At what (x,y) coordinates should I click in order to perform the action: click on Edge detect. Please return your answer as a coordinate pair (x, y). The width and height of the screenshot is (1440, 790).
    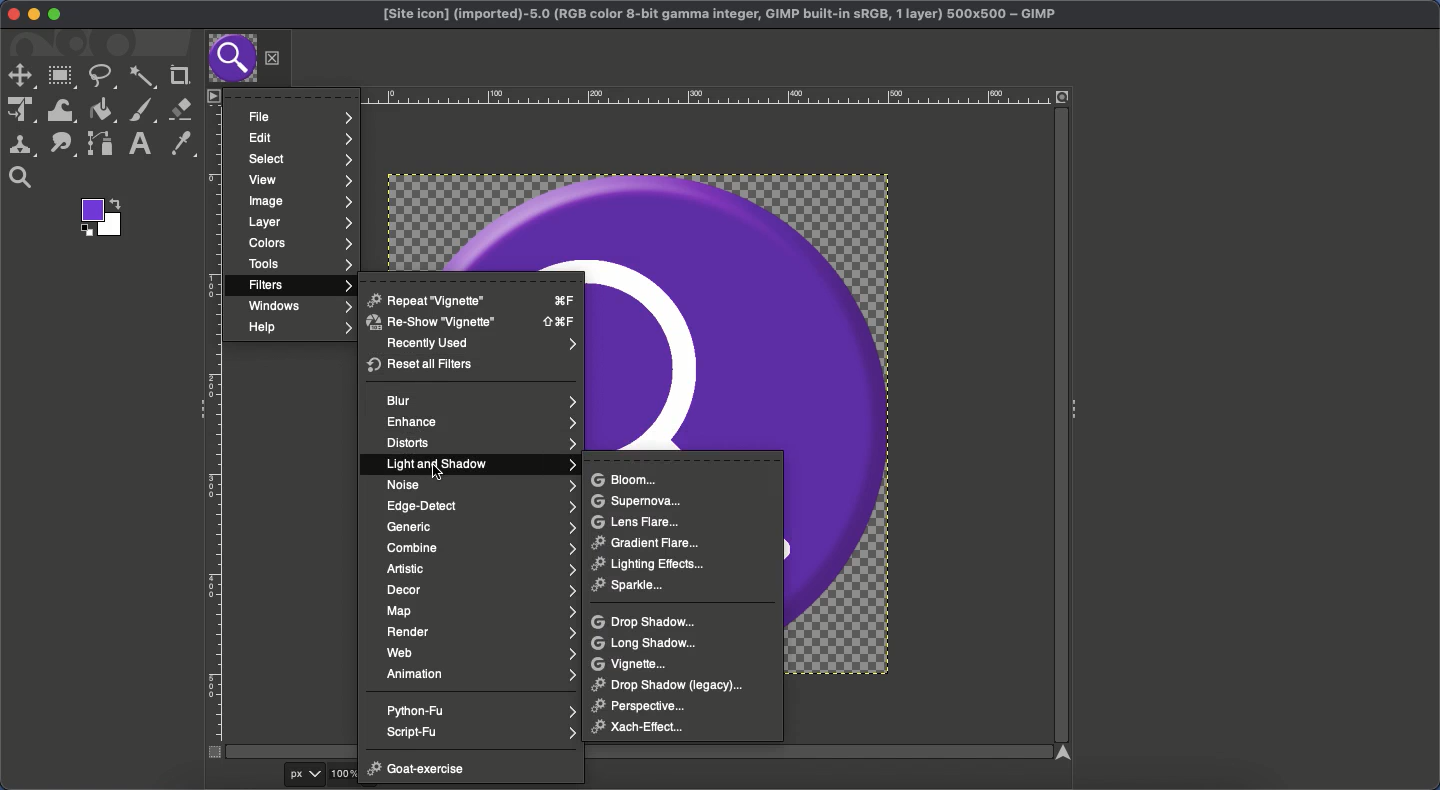
    Looking at the image, I should click on (482, 506).